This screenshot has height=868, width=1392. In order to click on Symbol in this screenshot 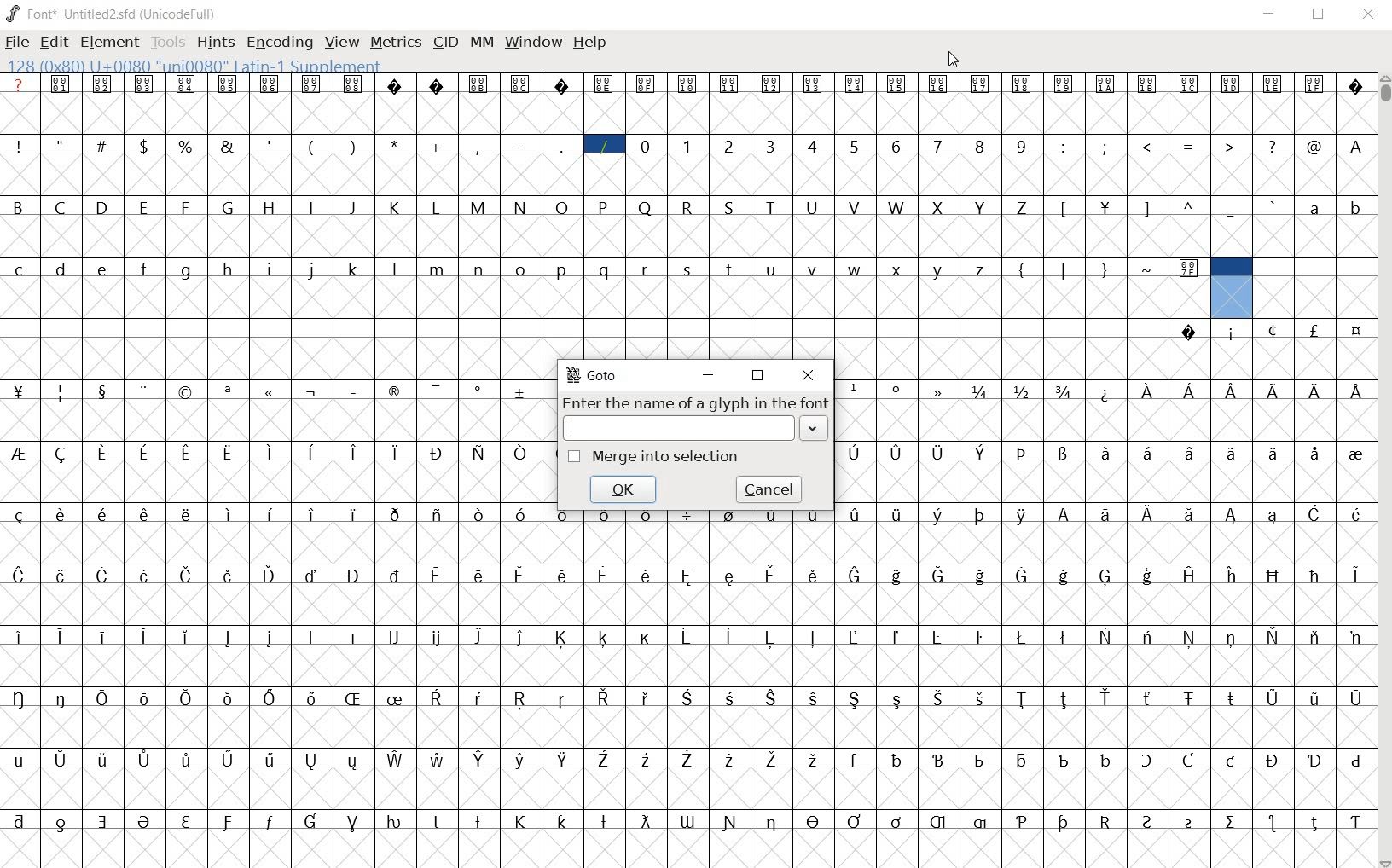, I will do `click(1024, 576)`.